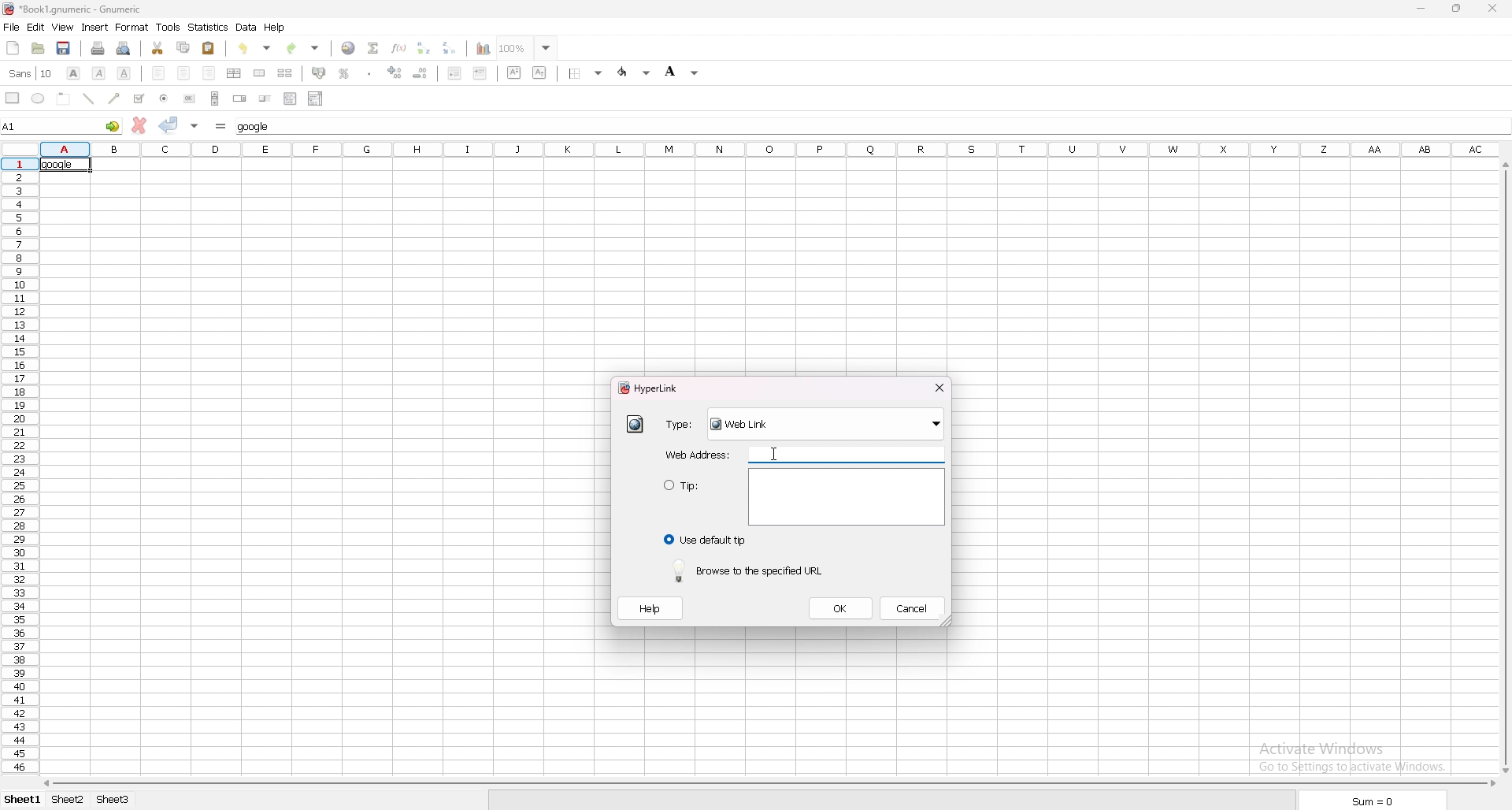 This screenshot has width=1512, height=810. I want to click on save, so click(66, 48).